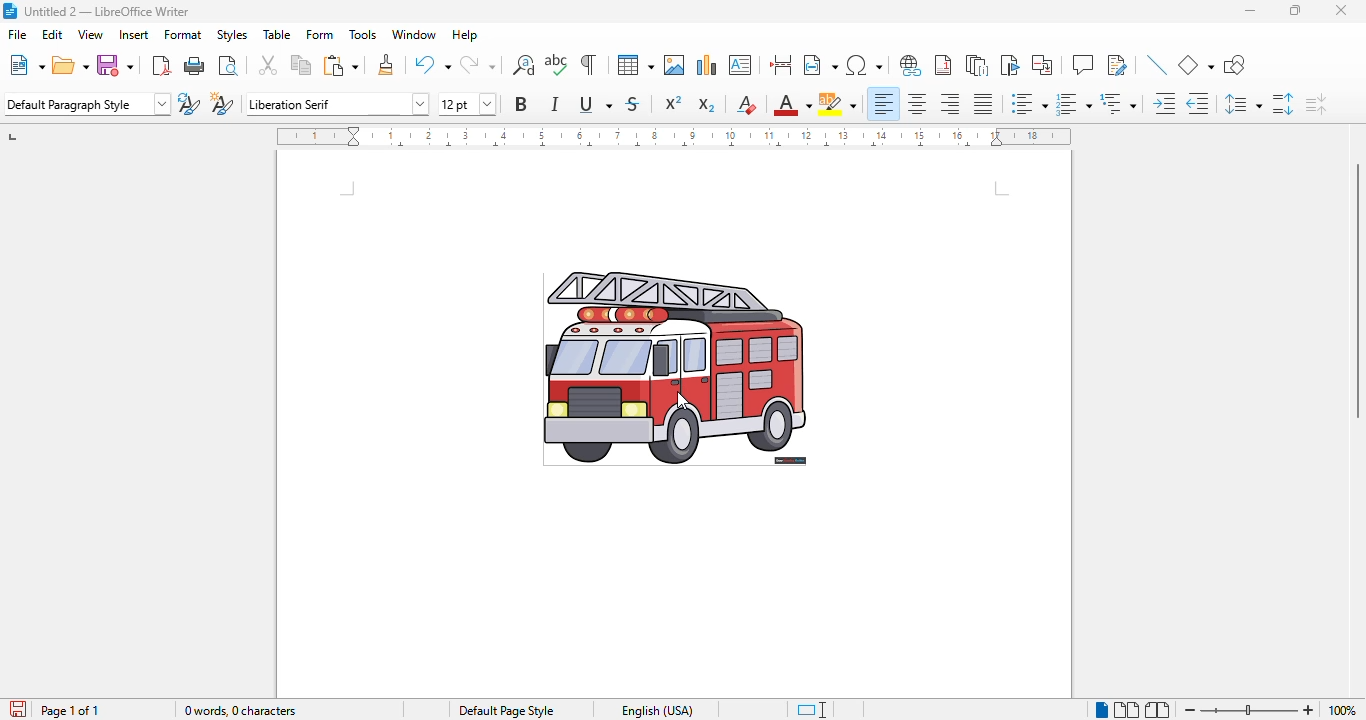 The image size is (1366, 720). Describe the element at coordinates (1316, 104) in the screenshot. I see `decrease paragraph spacing` at that location.